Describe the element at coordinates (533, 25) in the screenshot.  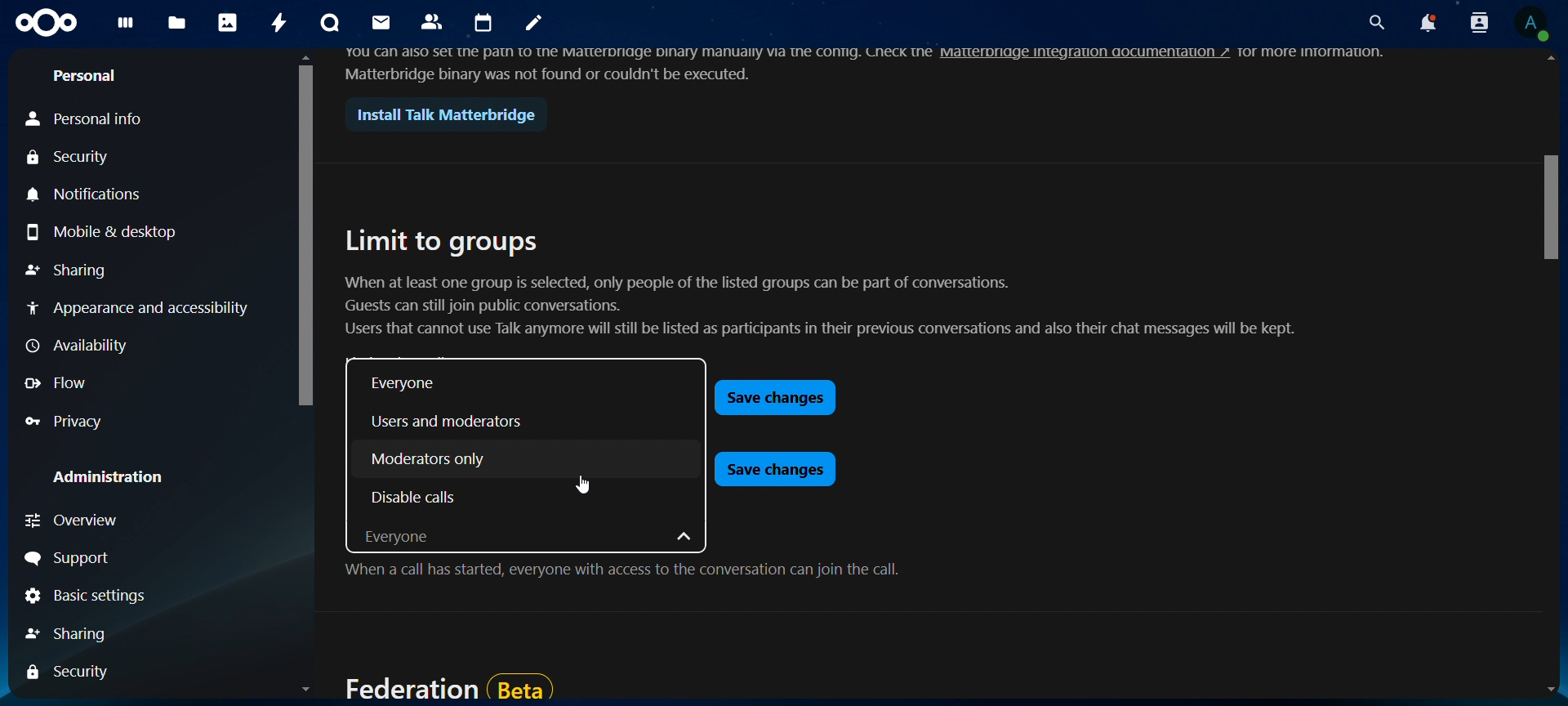
I see `notes` at that location.